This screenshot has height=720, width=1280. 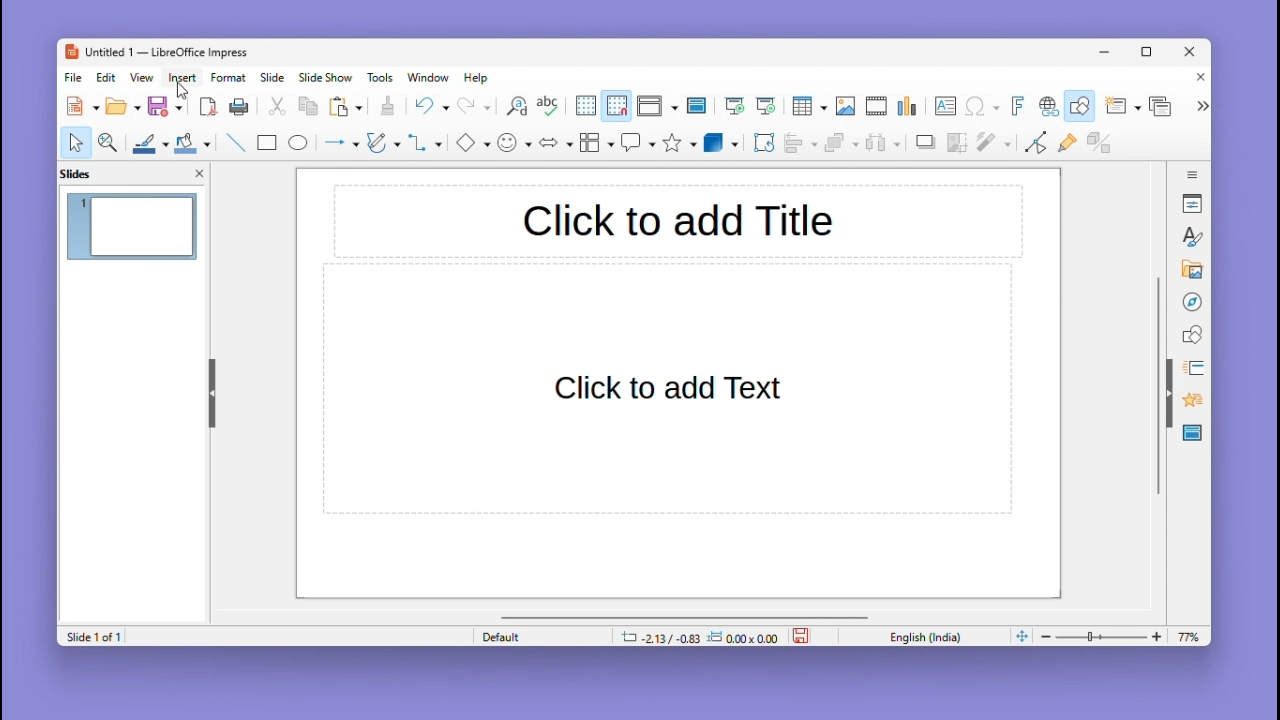 What do you see at coordinates (1163, 106) in the screenshot?
I see `Duplicate slide` at bounding box center [1163, 106].